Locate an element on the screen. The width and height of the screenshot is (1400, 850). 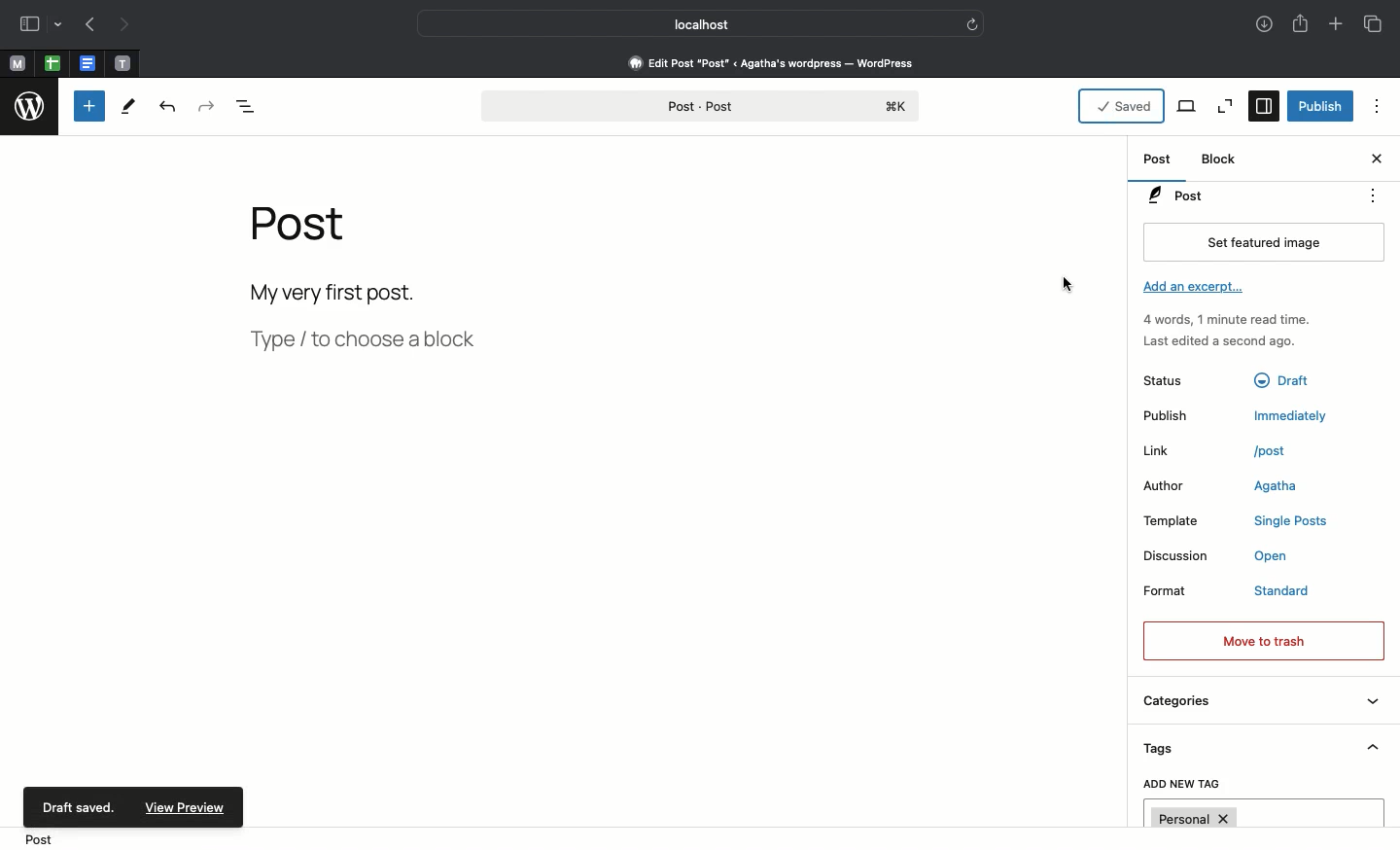
Publish is located at coordinates (1170, 414).